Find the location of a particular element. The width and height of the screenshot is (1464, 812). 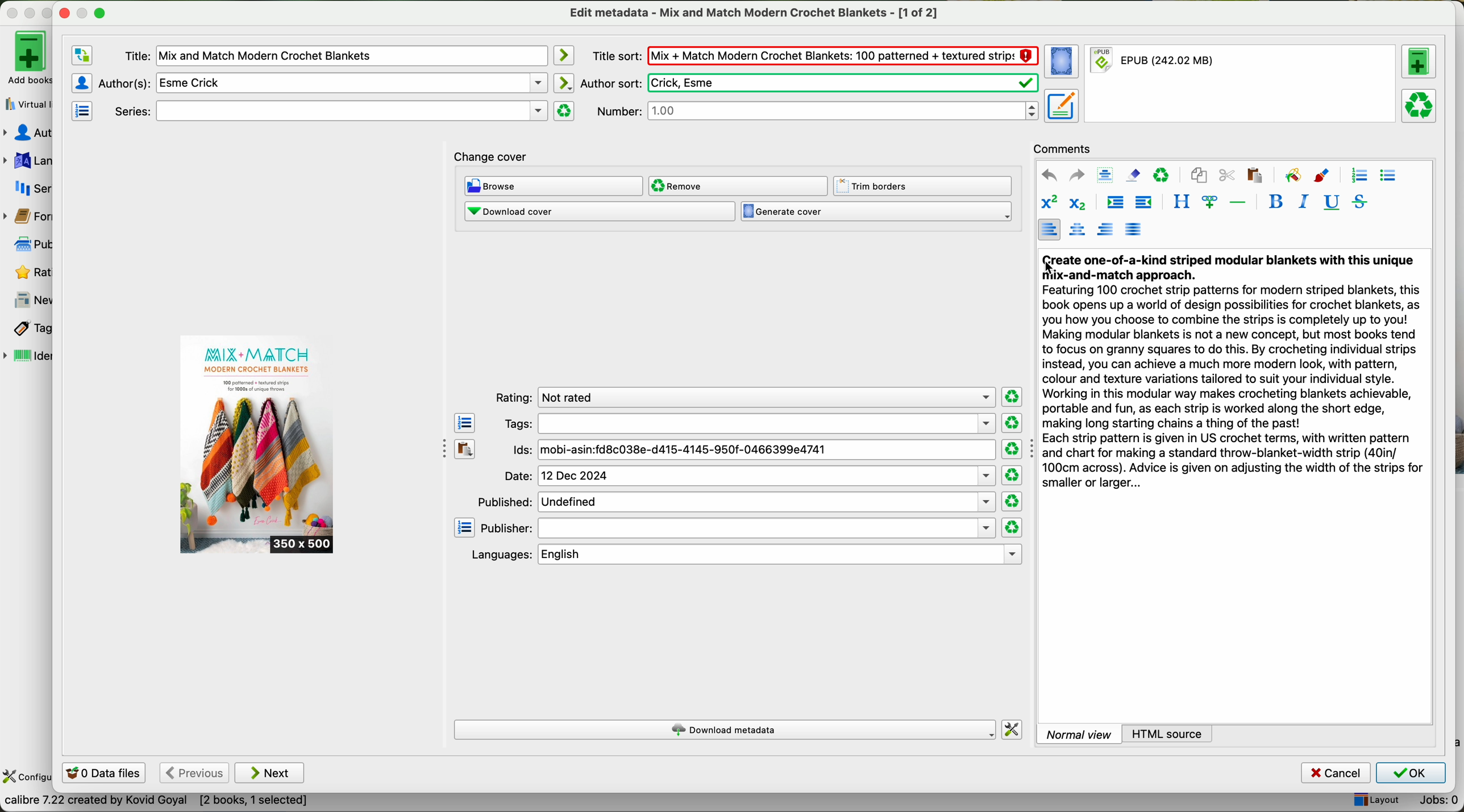

remove the selected format from this book is located at coordinates (1421, 105).